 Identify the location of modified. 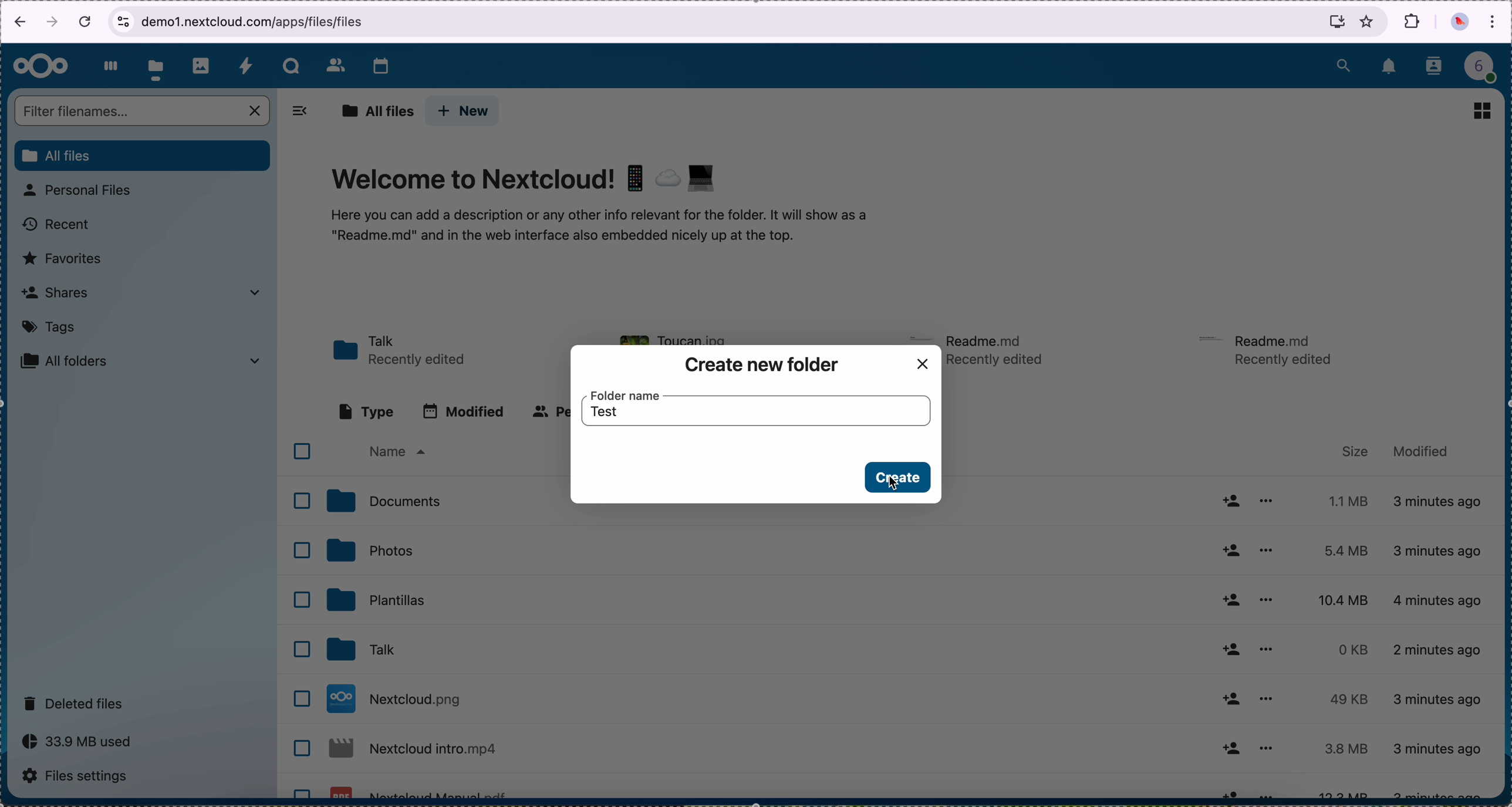
(464, 411).